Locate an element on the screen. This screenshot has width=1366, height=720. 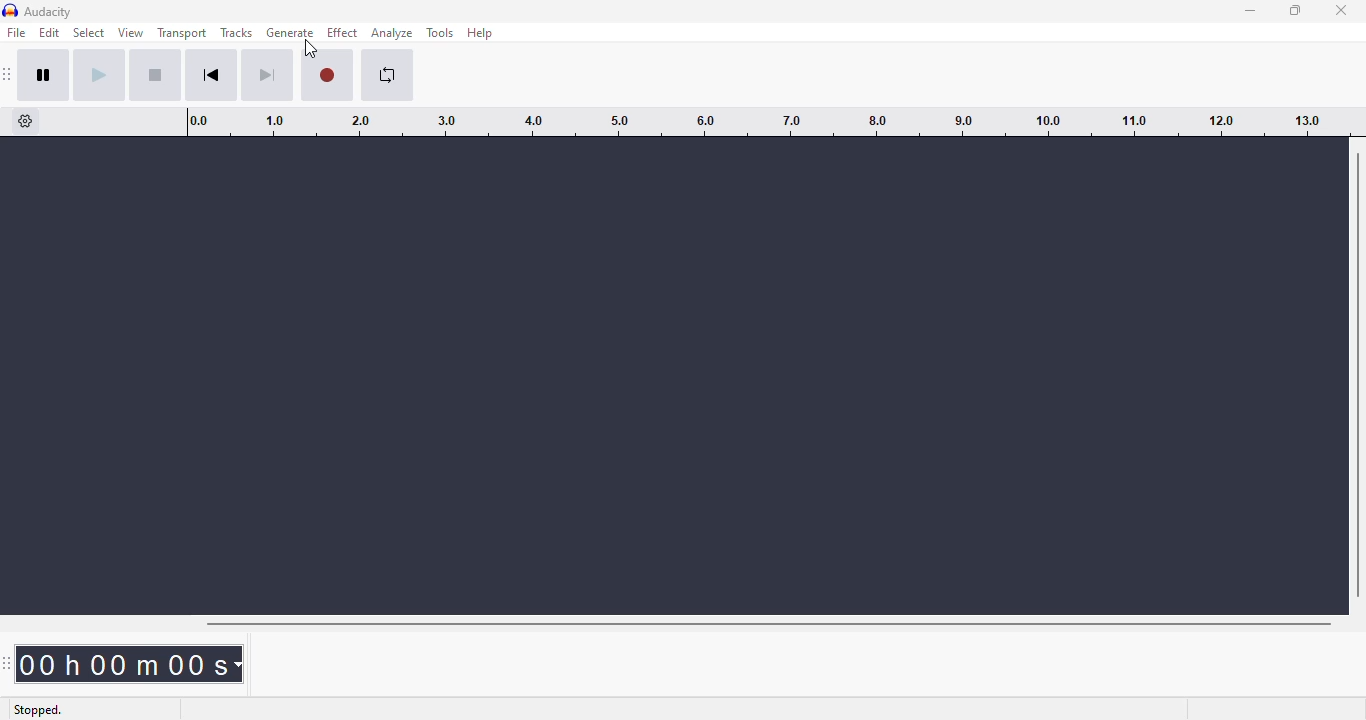
transport is located at coordinates (181, 33).